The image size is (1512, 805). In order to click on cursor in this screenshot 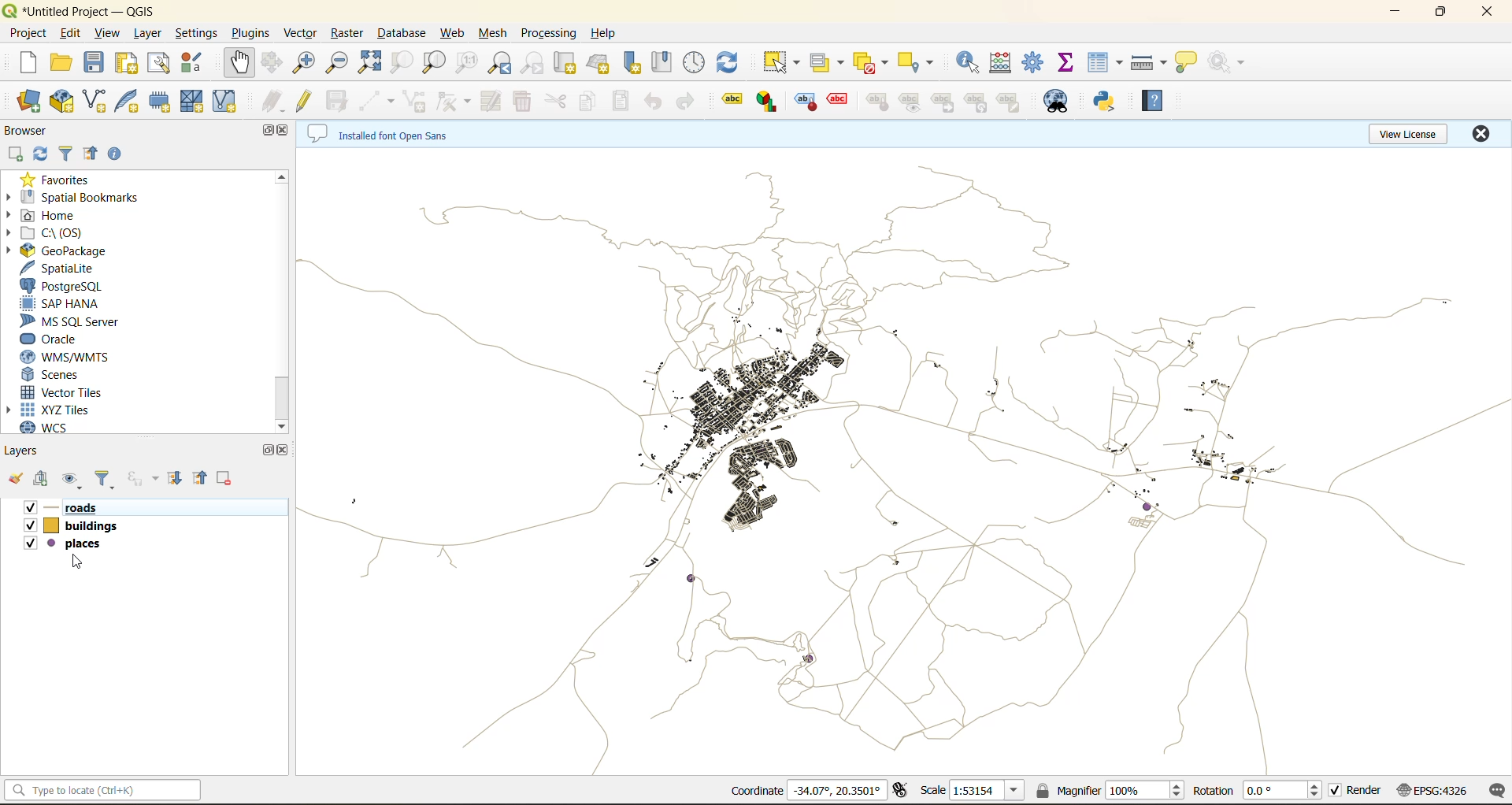, I will do `click(75, 562)`.